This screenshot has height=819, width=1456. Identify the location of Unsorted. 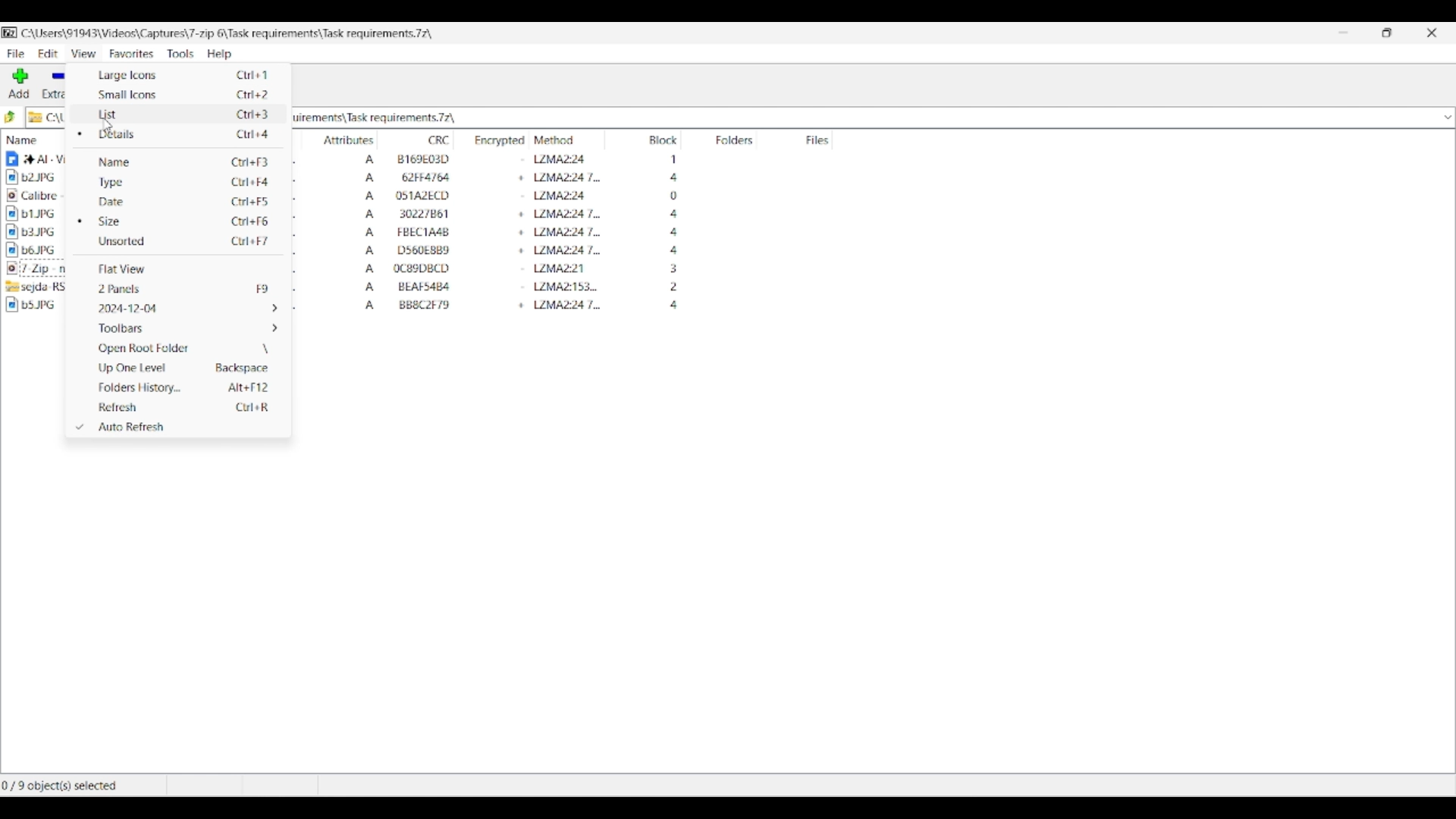
(183, 240).